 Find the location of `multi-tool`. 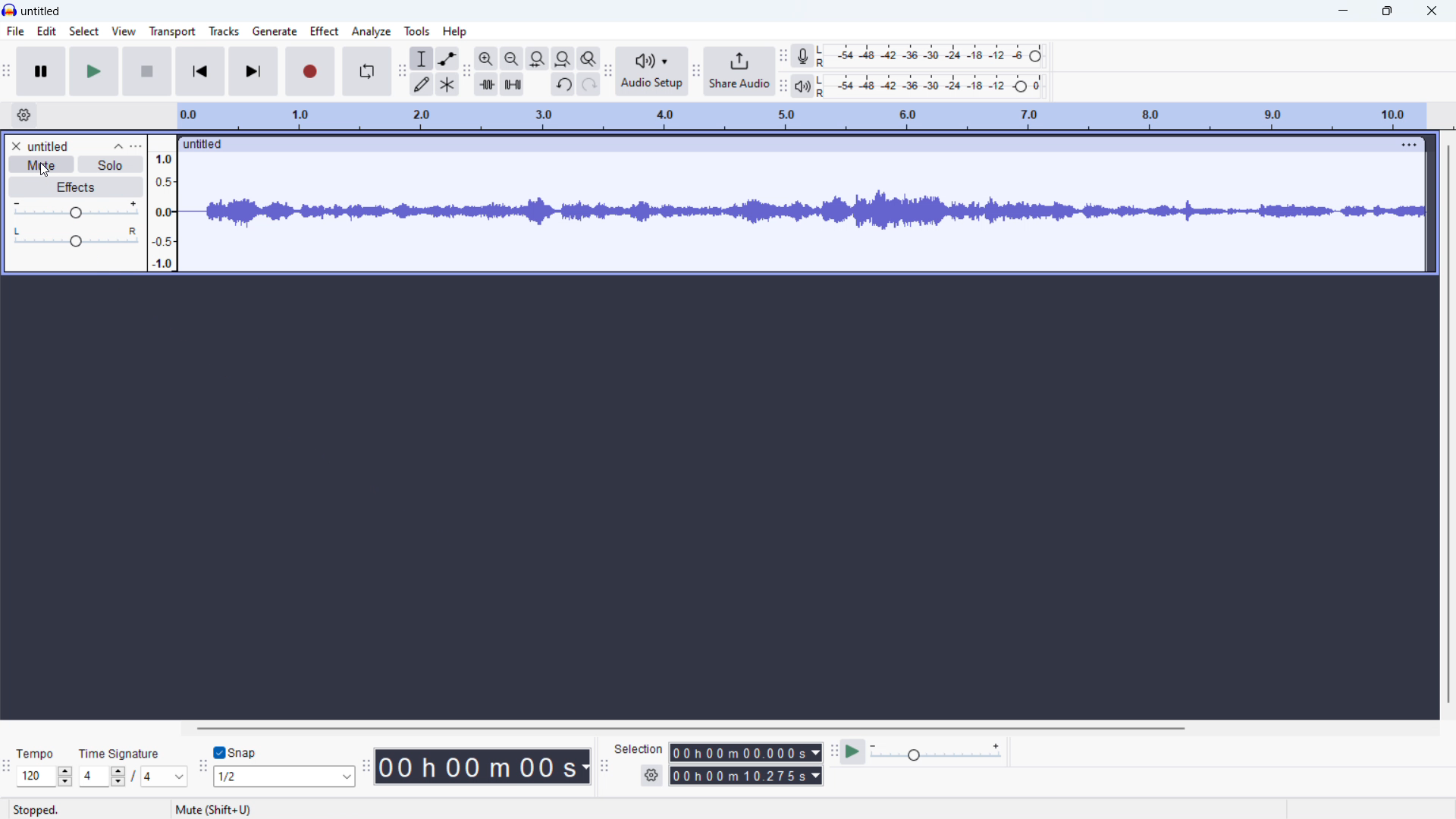

multi-tool is located at coordinates (447, 85).